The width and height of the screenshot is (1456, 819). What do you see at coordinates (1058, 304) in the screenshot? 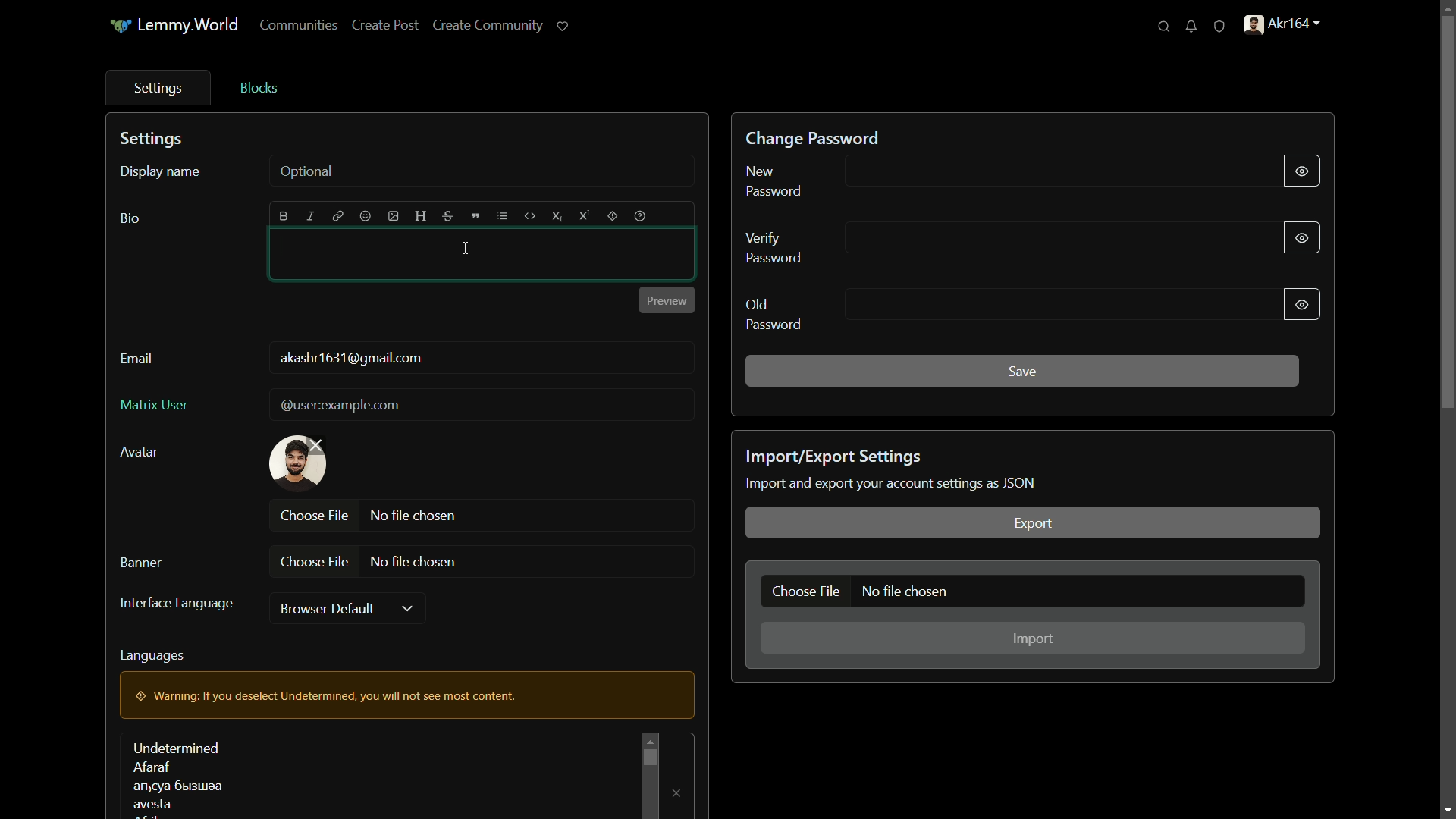
I see `old password input line` at bounding box center [1058, 304].